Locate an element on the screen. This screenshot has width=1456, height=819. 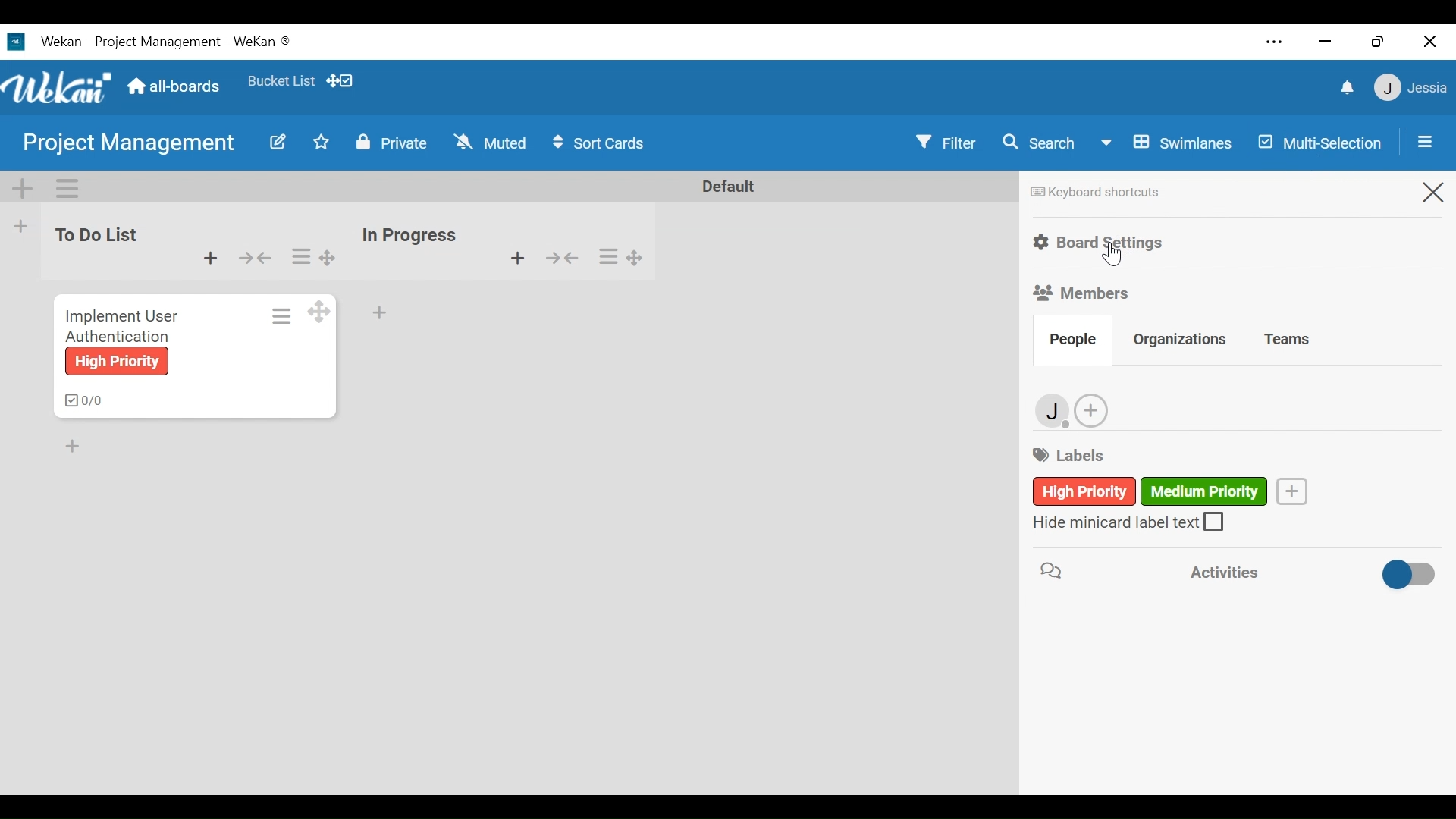
list Name is located at coordinates (408, 235).